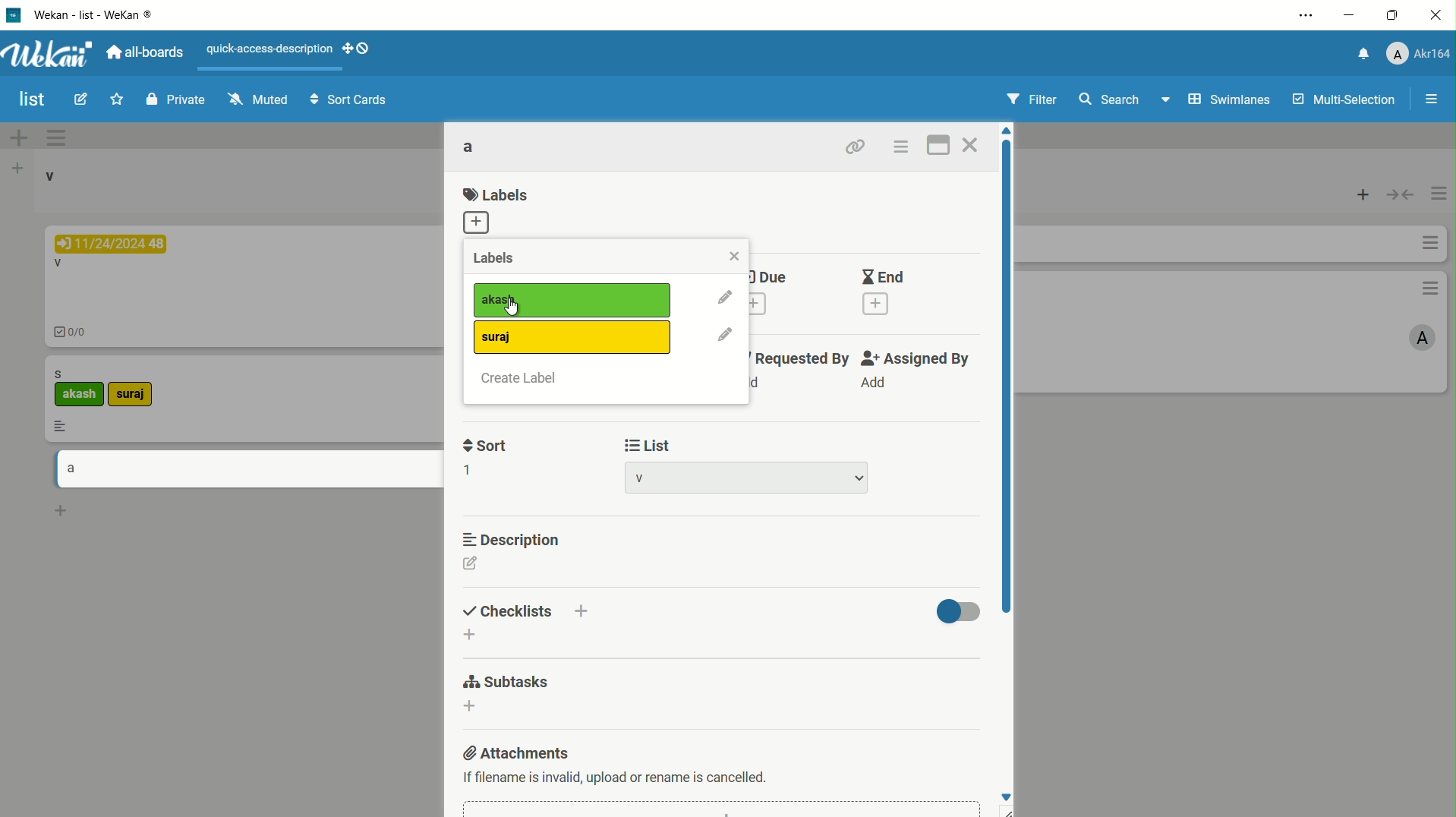  What do you see at coordinates (14, 172) in the screenshot?
I see `add` at bounding box center [14, 172].